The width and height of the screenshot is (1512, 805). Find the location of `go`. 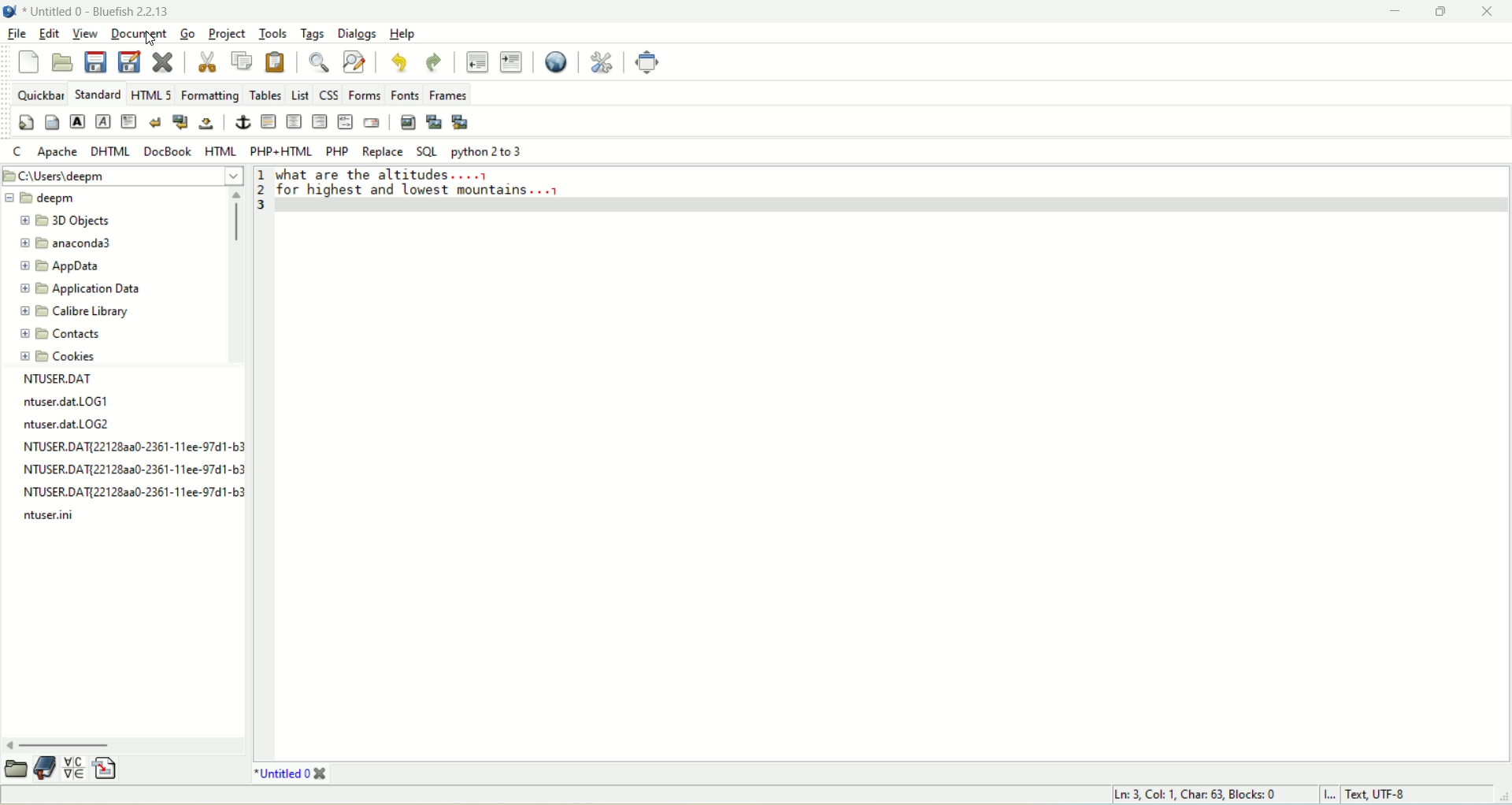

go is located at coordinates (189, 32).